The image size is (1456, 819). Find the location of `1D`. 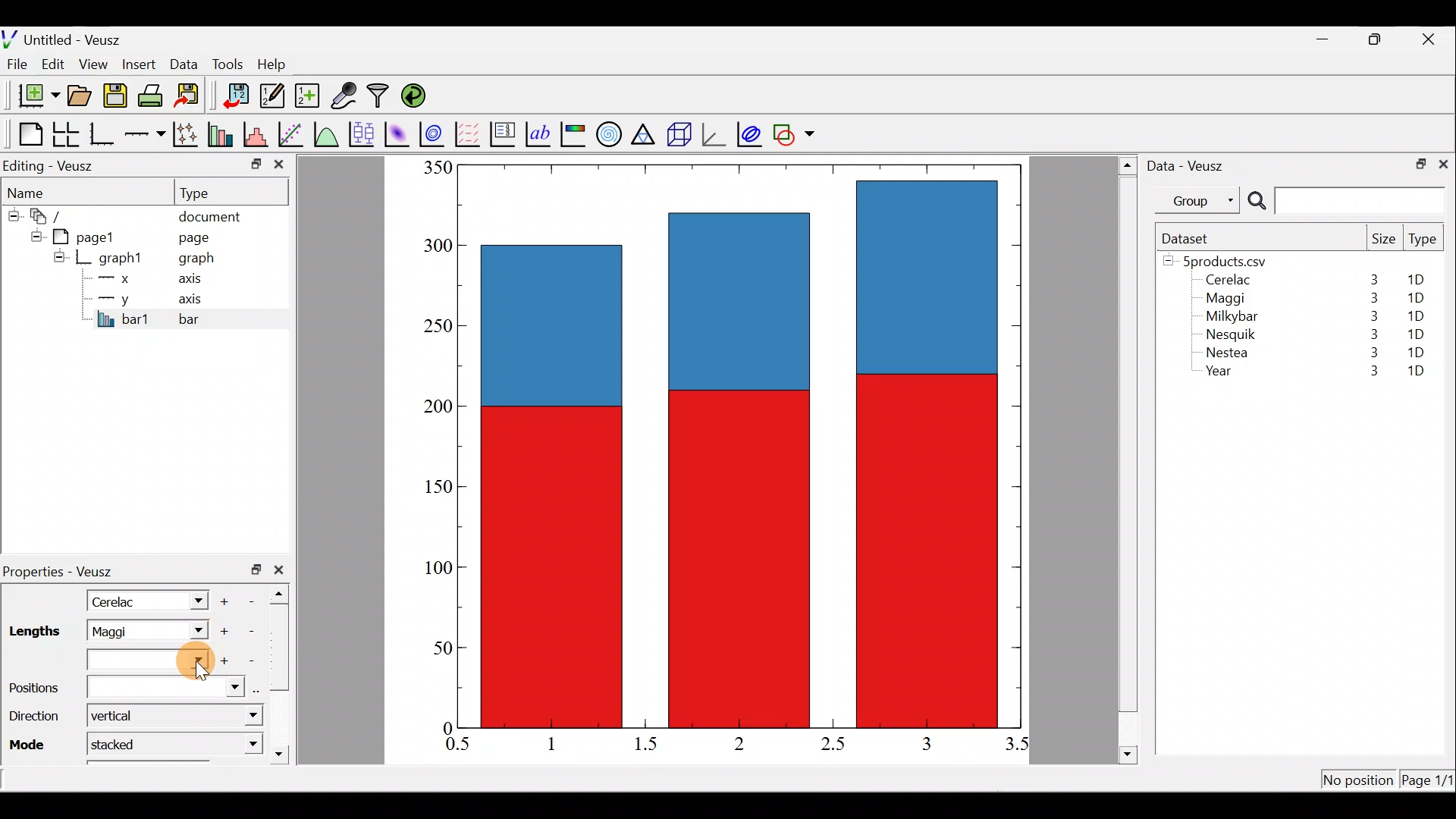

1D is located at coordinates (1415, 298).